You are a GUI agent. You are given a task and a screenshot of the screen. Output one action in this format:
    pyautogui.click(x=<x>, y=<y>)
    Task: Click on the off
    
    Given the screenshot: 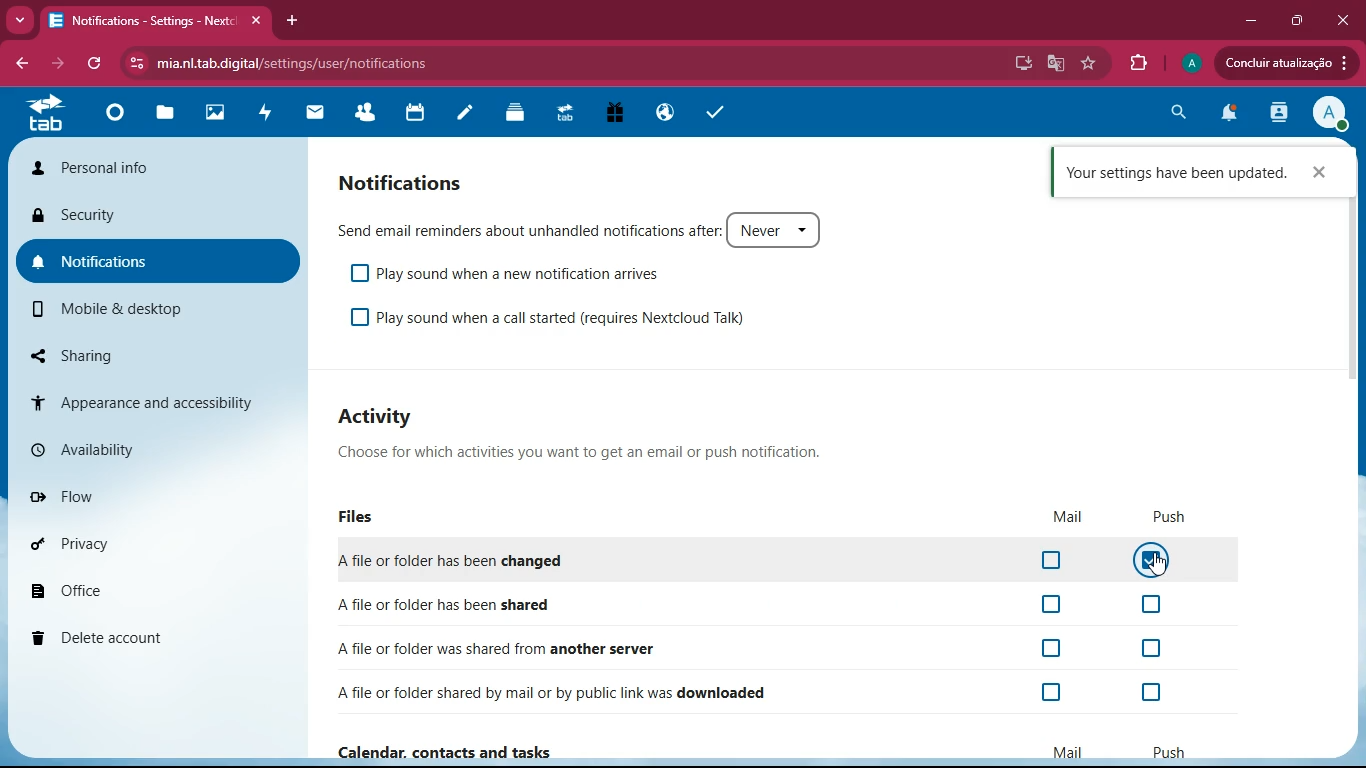 What is the action you would take?
    pyautogui.click(x=1054, y=649)
    